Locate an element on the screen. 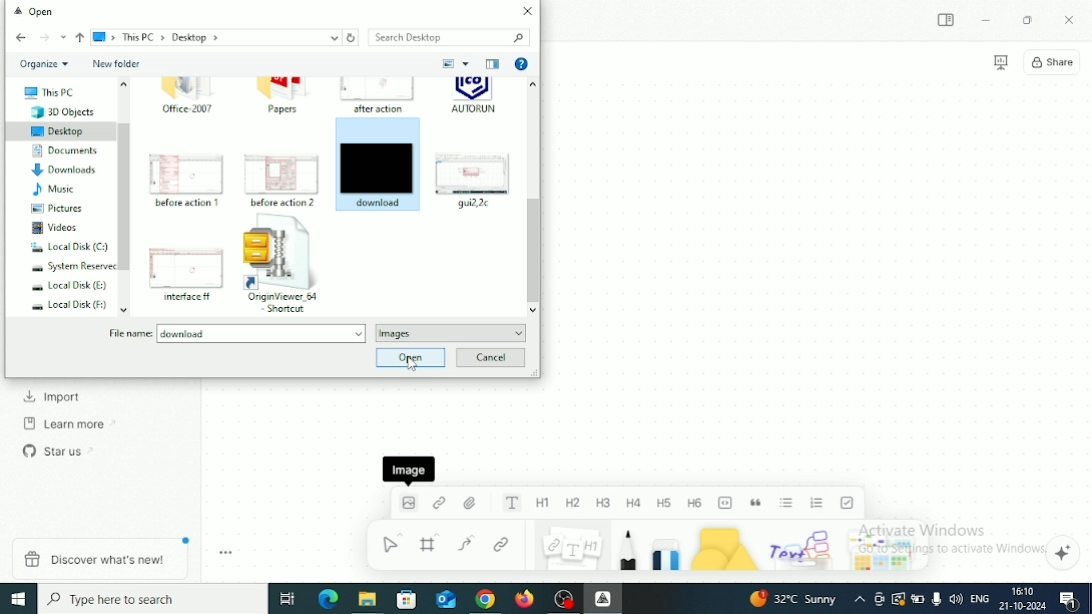 The width and height of the screenshot is (1092, 614). Pictures is located at coordinates (50, 210).